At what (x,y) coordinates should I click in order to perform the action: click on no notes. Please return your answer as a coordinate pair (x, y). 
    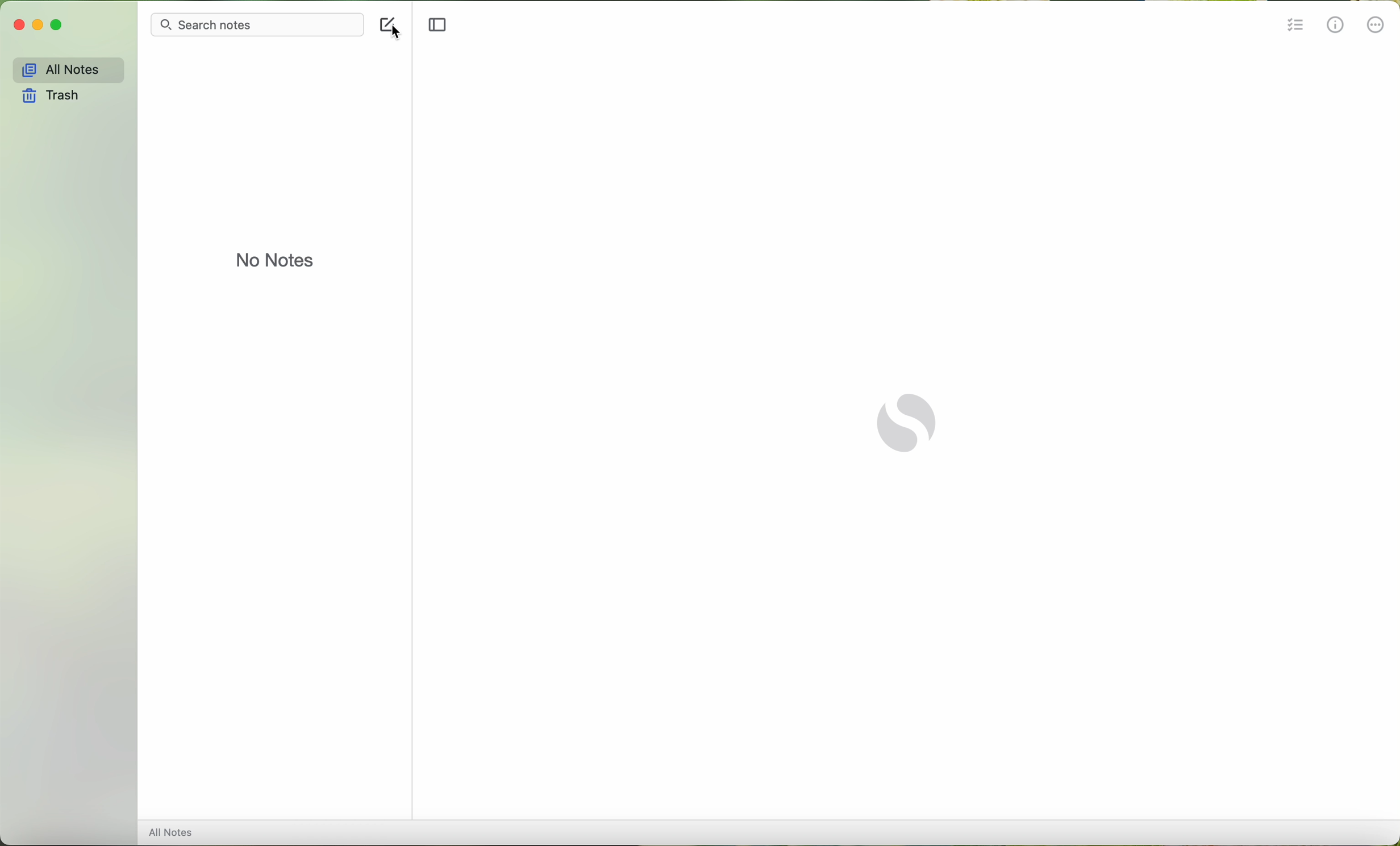
    Looking at the image, I should click on (276, 260).